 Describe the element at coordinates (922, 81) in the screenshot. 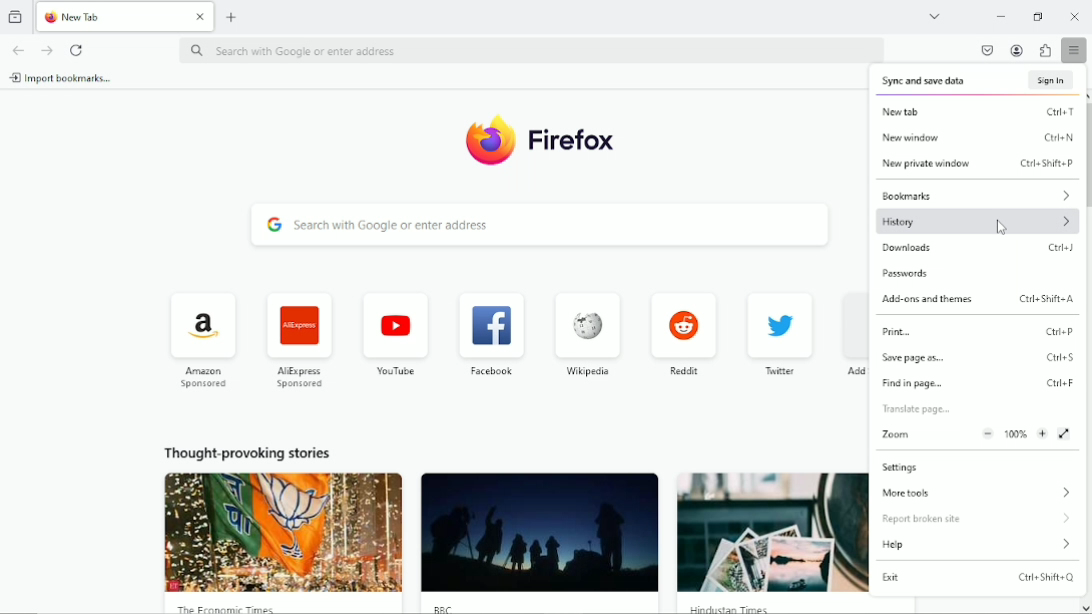

I see `Sync and save data` at that location.